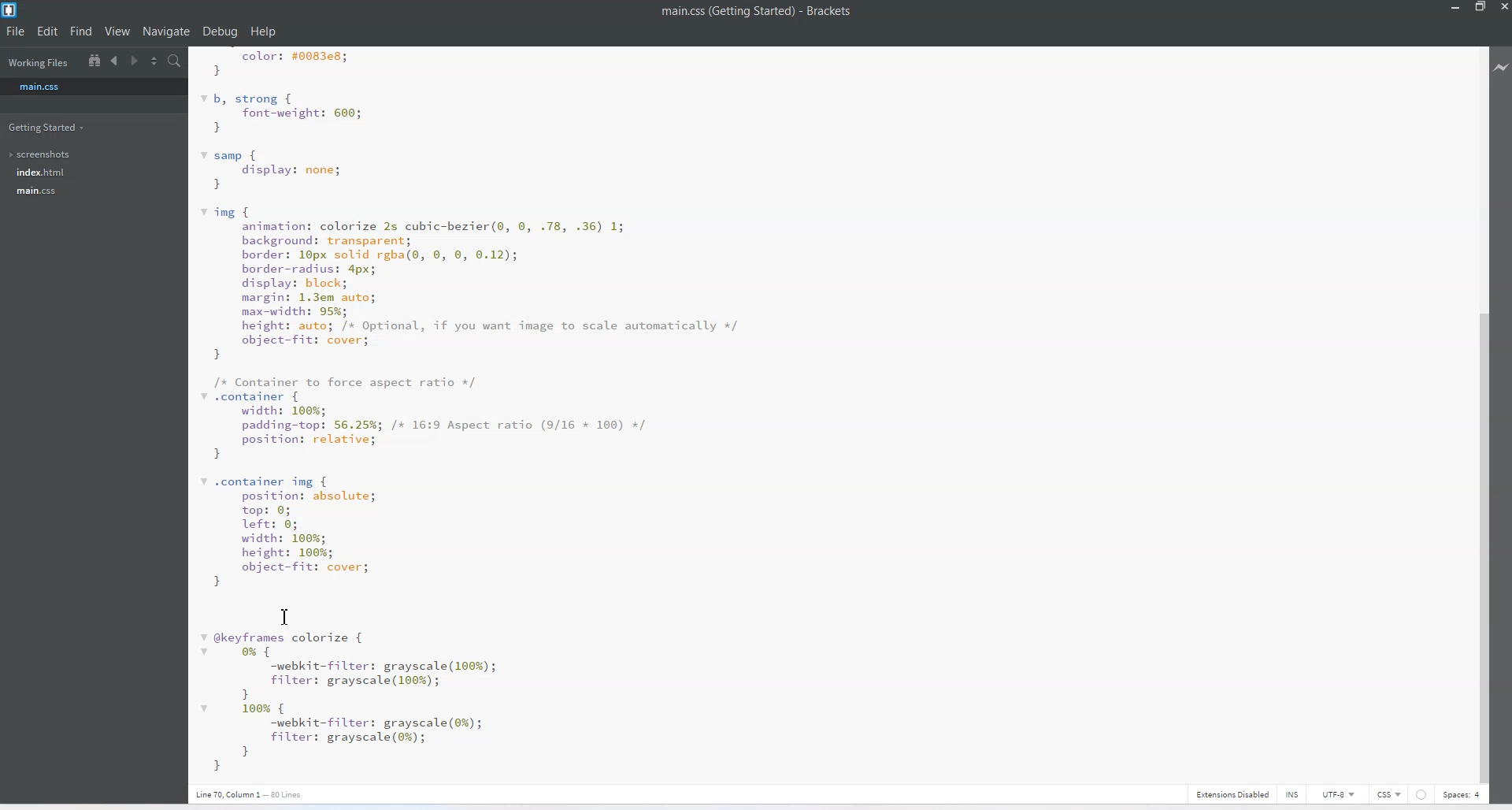 The height and width of the screenshot is (810, 1512). I want to click on Find in files, so click(176, 61).